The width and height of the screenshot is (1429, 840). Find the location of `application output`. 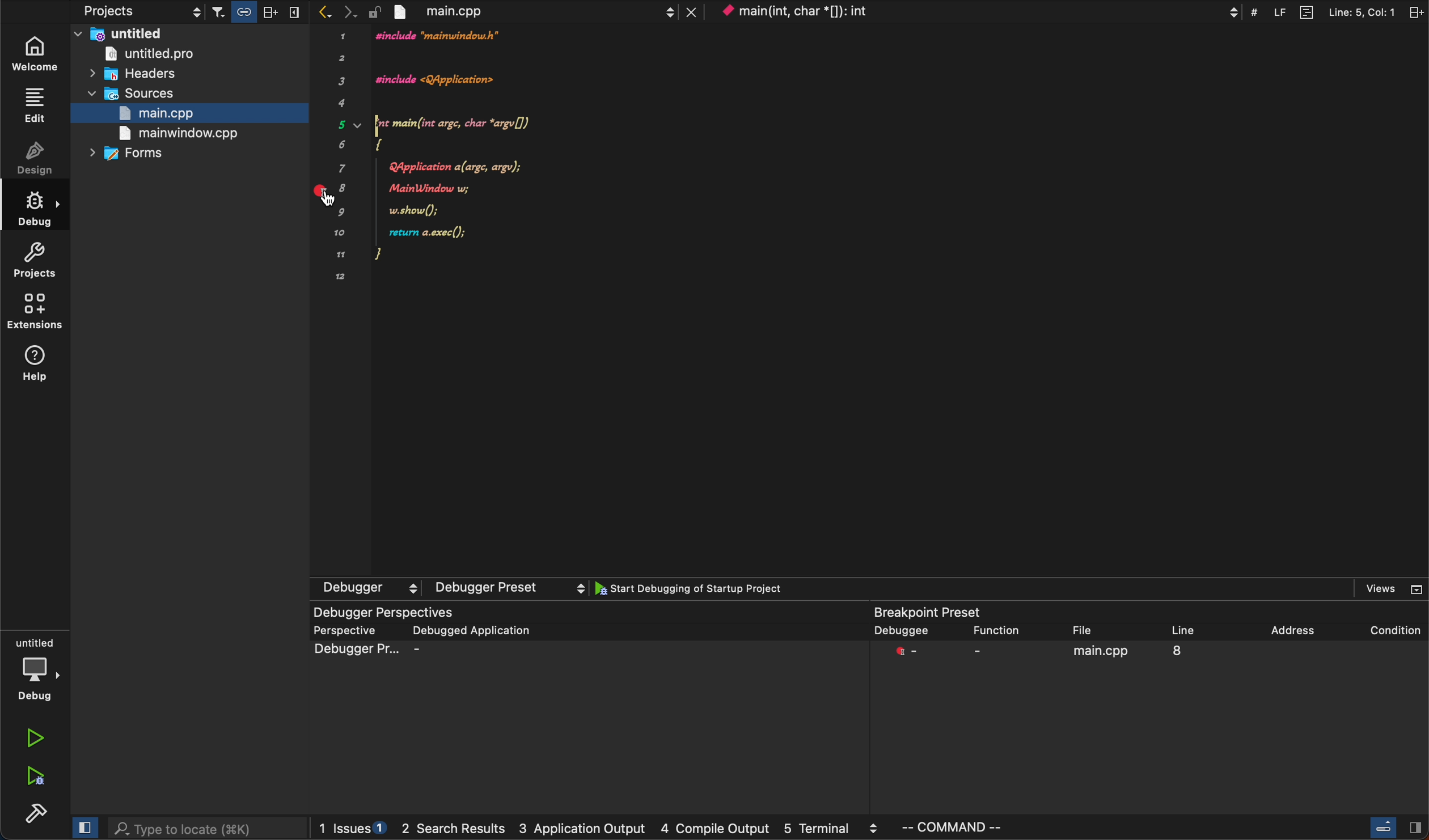

application output is located at coordinates (585, 831).